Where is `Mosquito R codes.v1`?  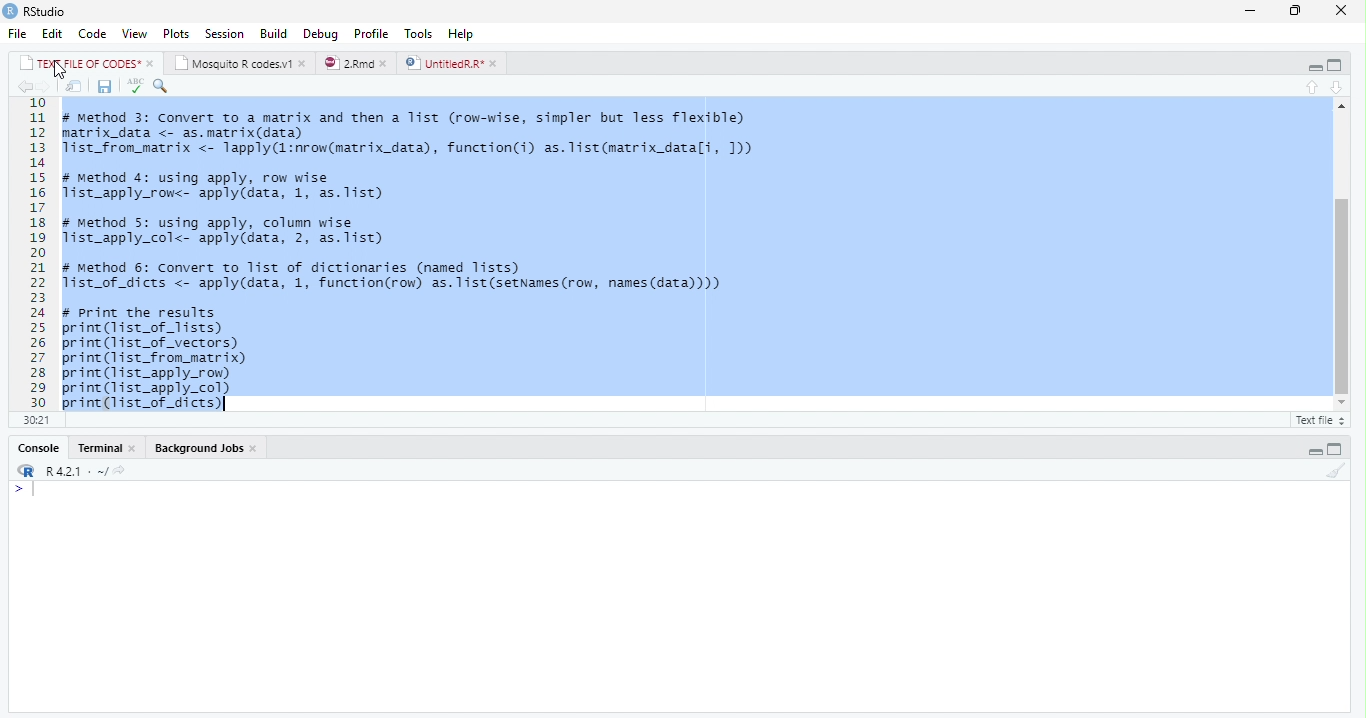 Mosquito R codes.v1 is located at coordinates (239, 62).